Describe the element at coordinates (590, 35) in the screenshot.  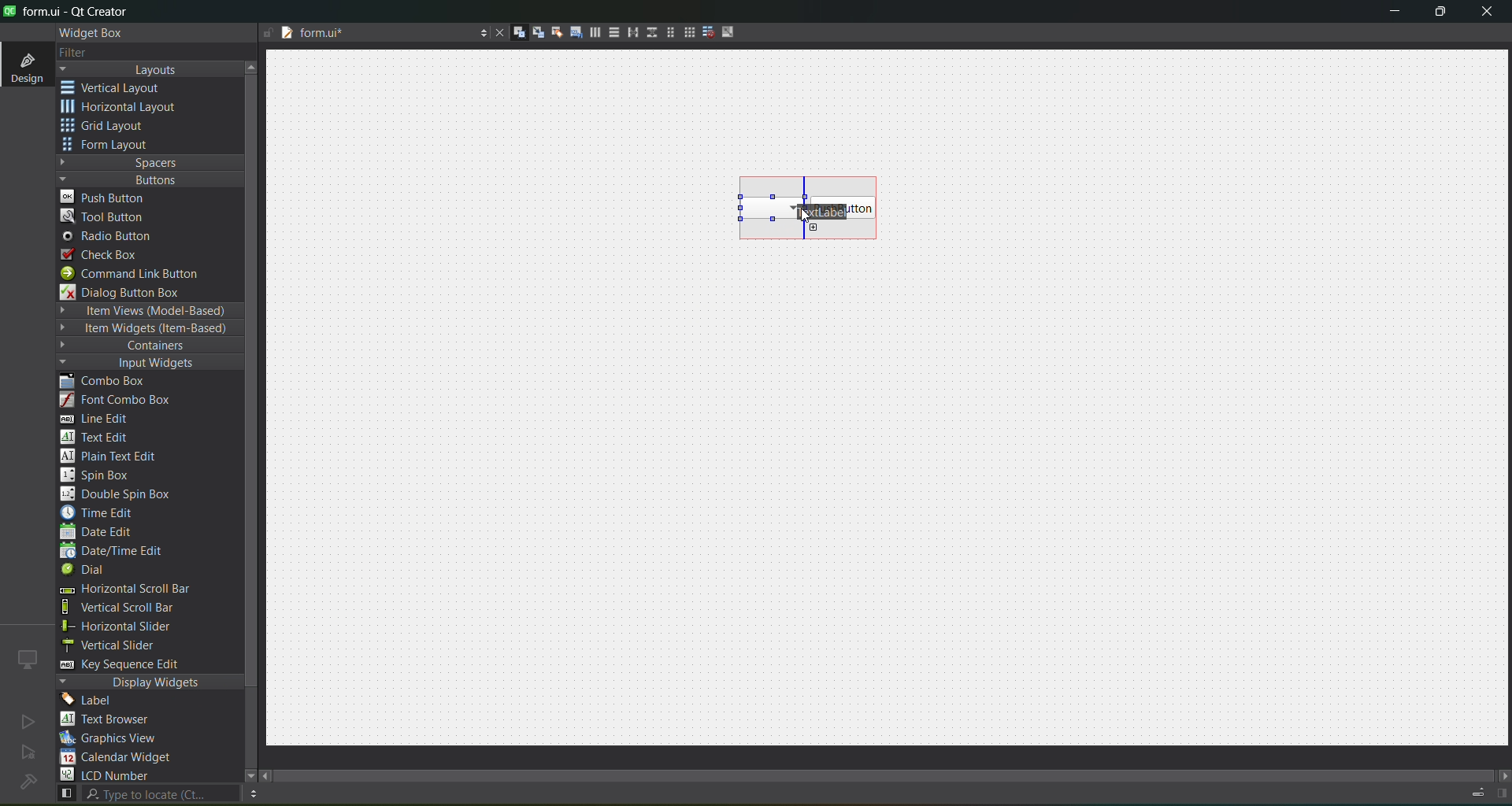
I see `layout horizontally` at that location.